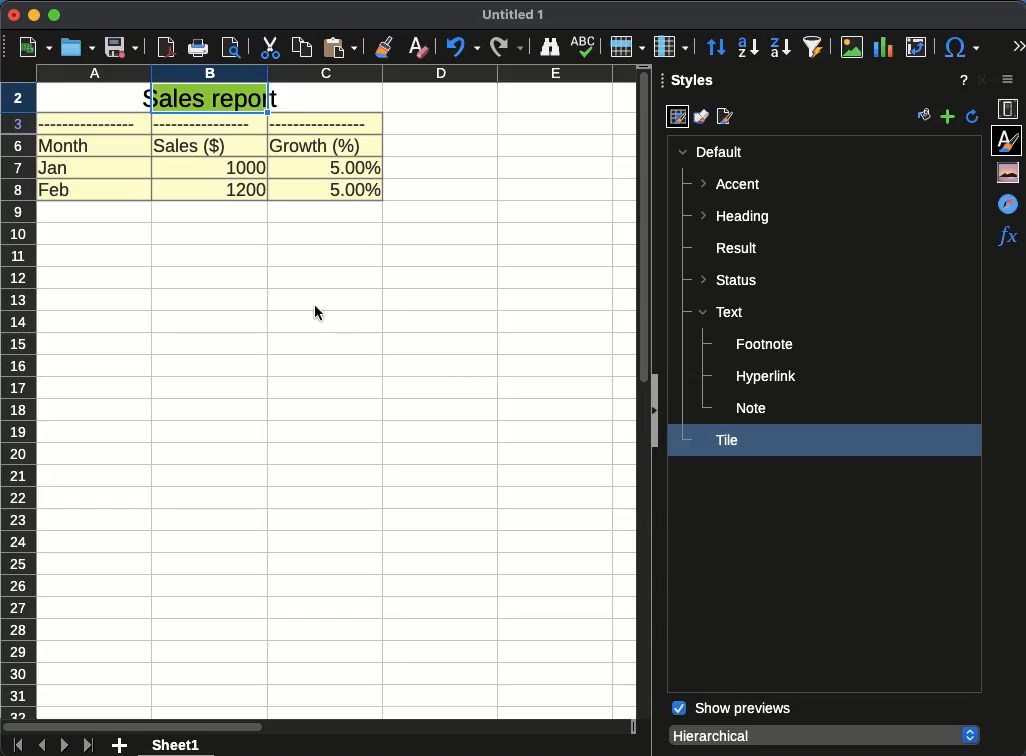  What do you see at coordinates (90, 125) in the screenshot?
I see `blank` at bounding box center [90, 125].